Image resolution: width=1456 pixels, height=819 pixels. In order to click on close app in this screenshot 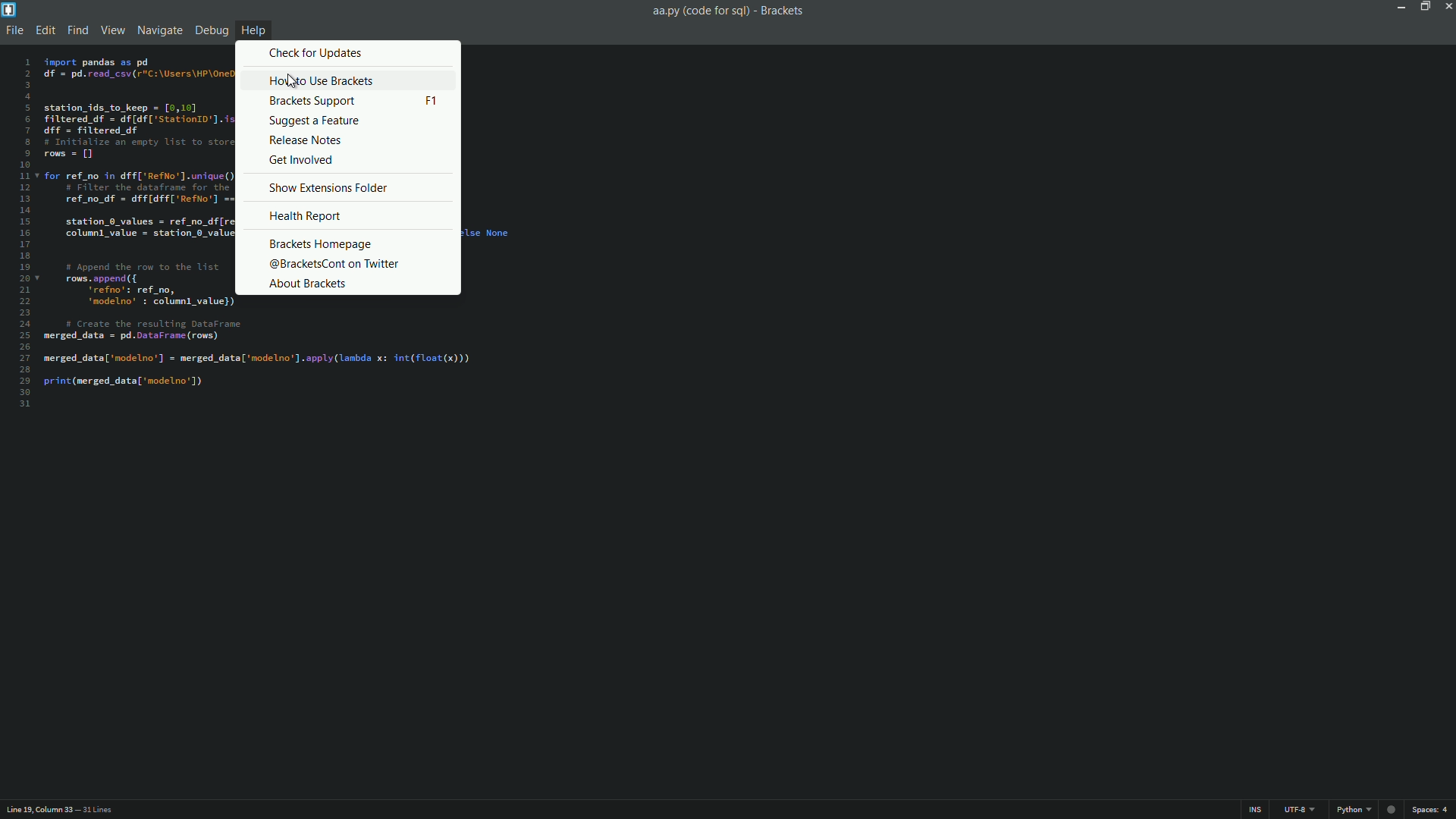, I will do `click(1447, 7)`.